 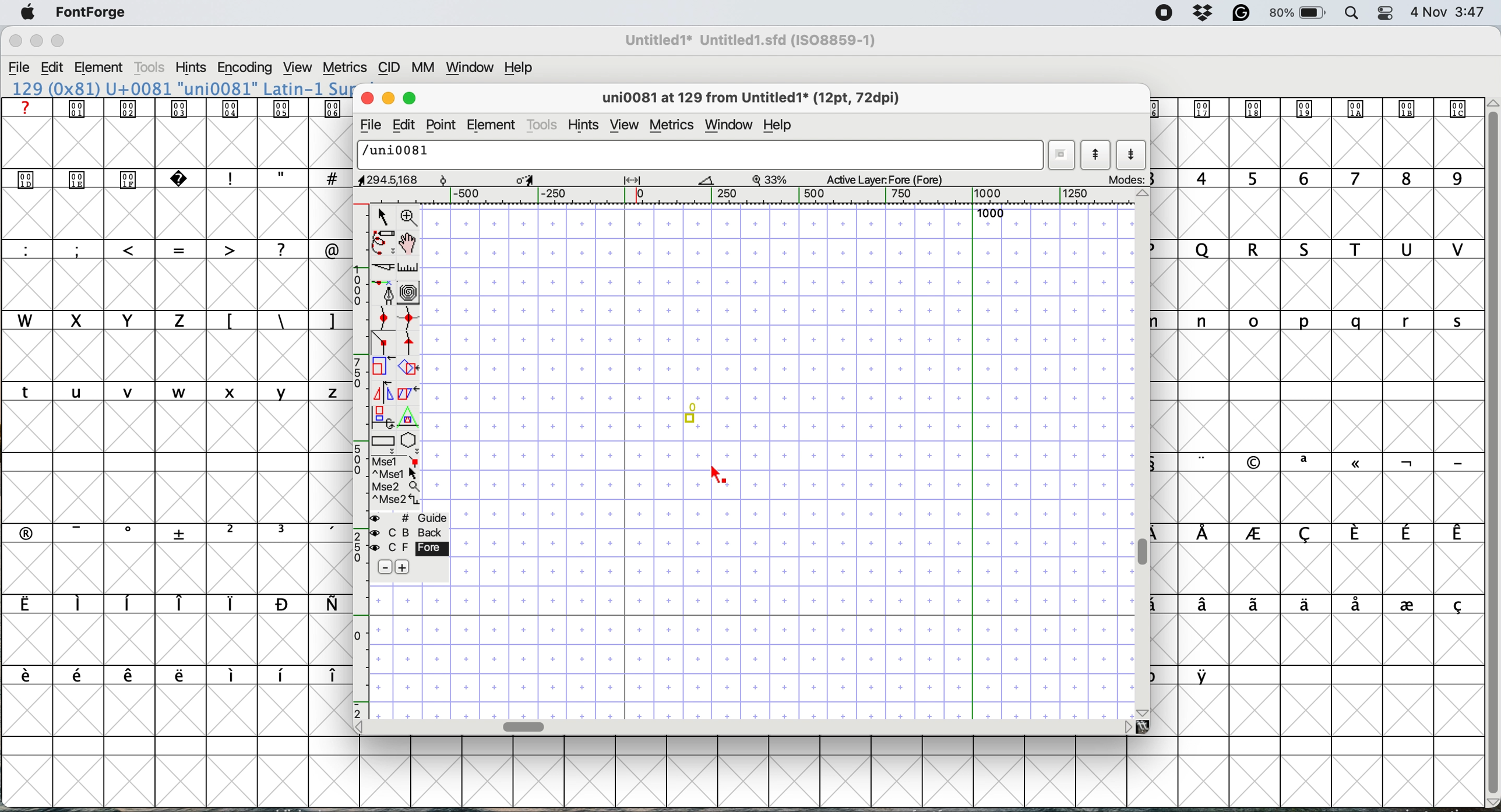 What do you see at coordinates (413, 532) in the screenshot?
I see `C B back` at bounding box center [413, 532].